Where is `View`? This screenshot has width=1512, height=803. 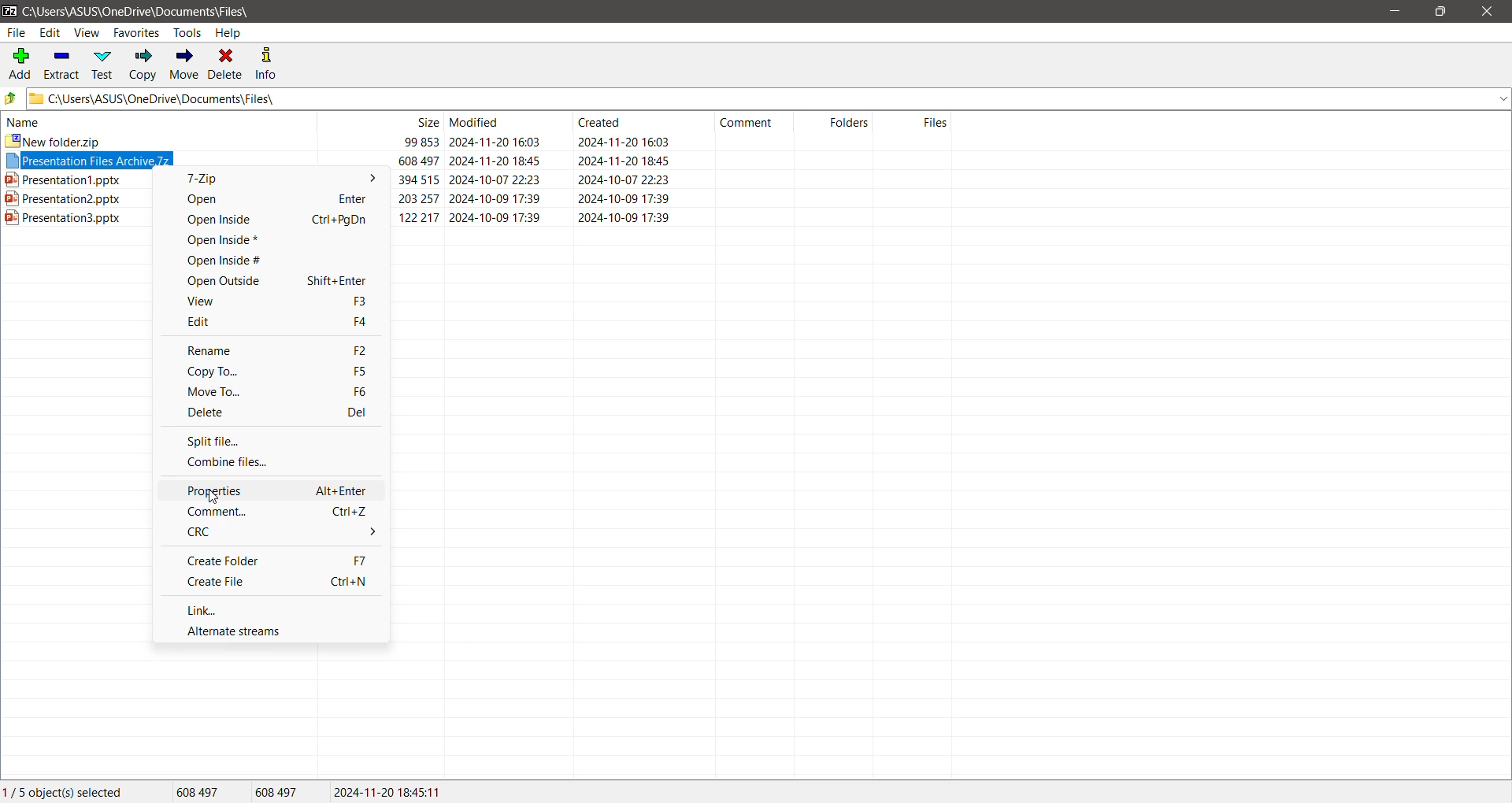 View is located at coordinates (87, 33).